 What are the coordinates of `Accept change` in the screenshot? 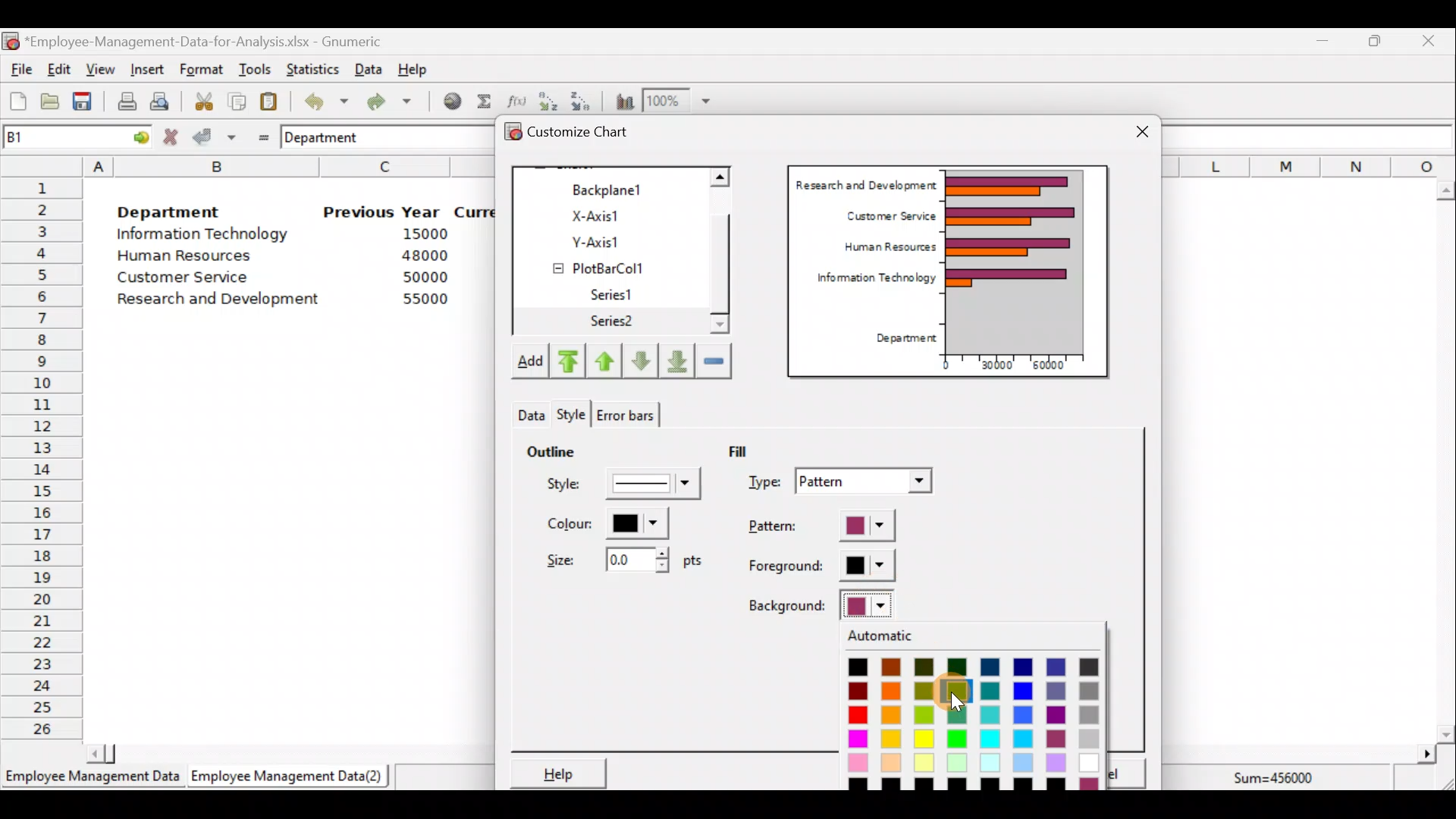 It's located at (215, 136).